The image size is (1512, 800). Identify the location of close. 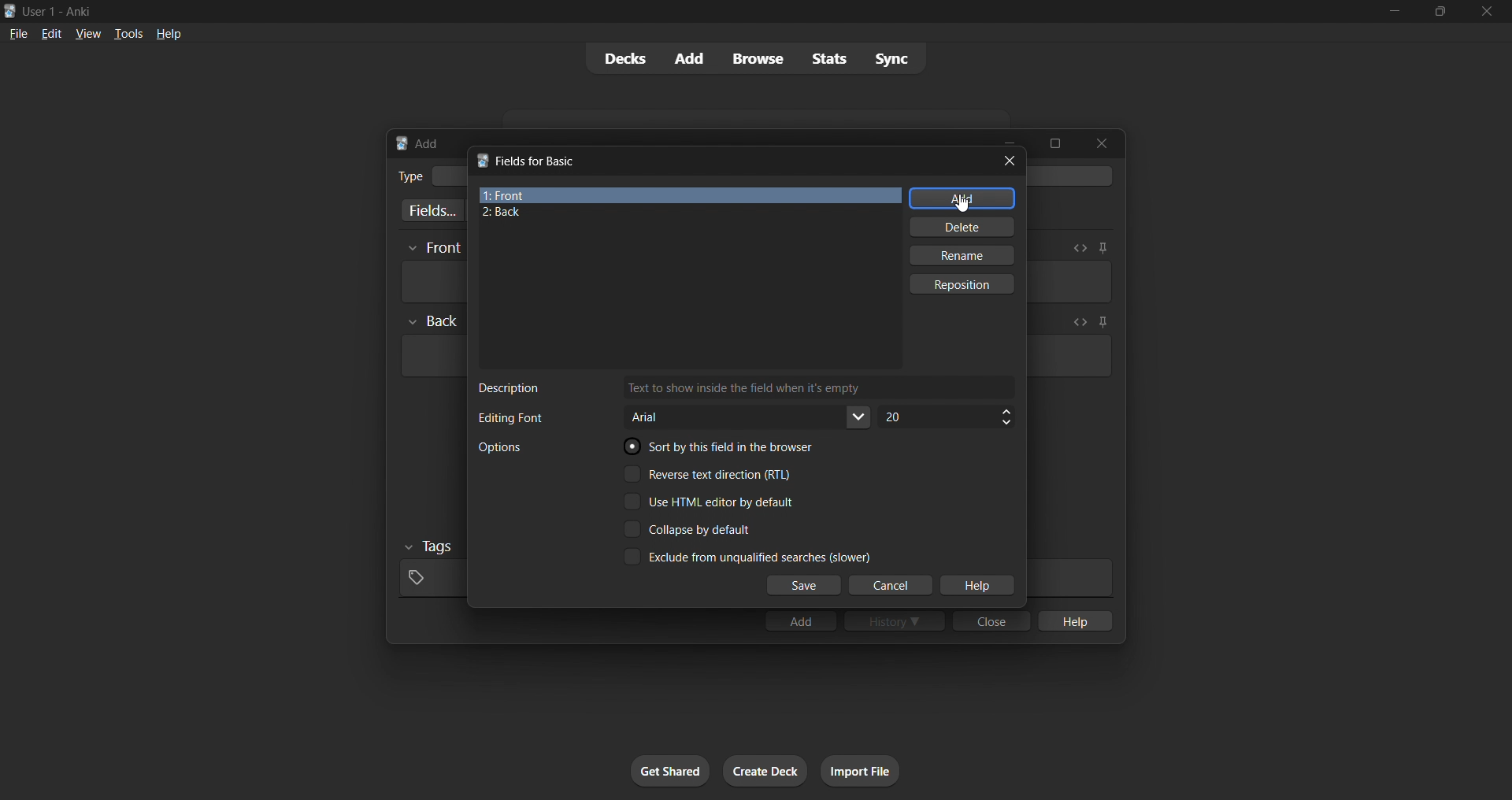
(1102, 143).